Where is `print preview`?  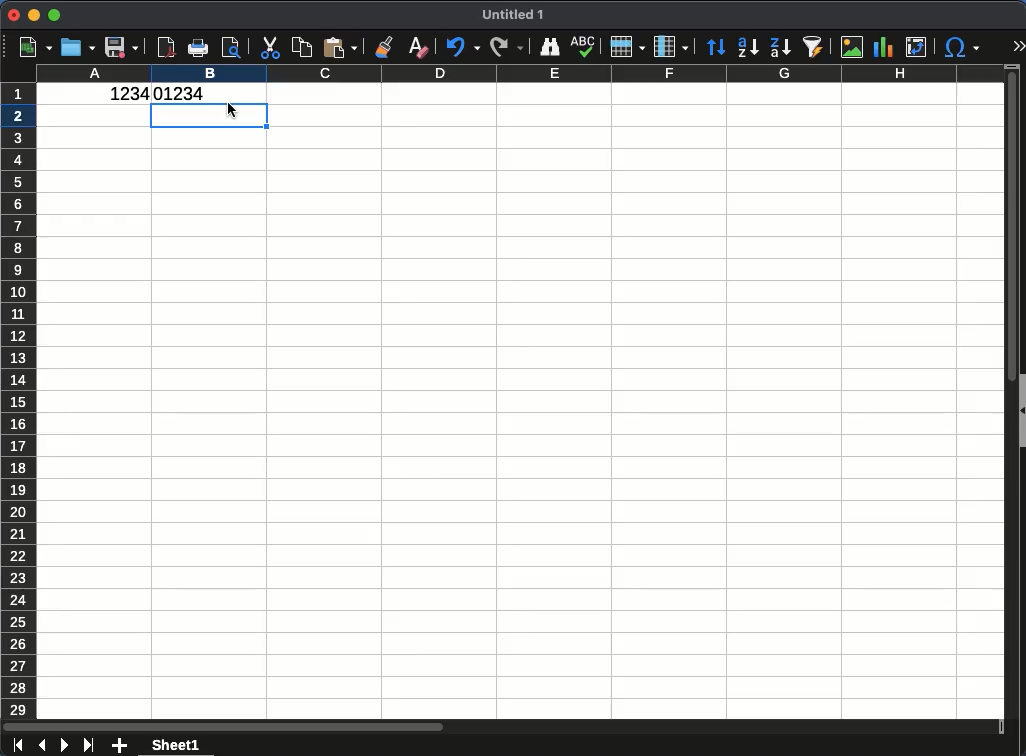 print preview is located at coordinates (233, 48).